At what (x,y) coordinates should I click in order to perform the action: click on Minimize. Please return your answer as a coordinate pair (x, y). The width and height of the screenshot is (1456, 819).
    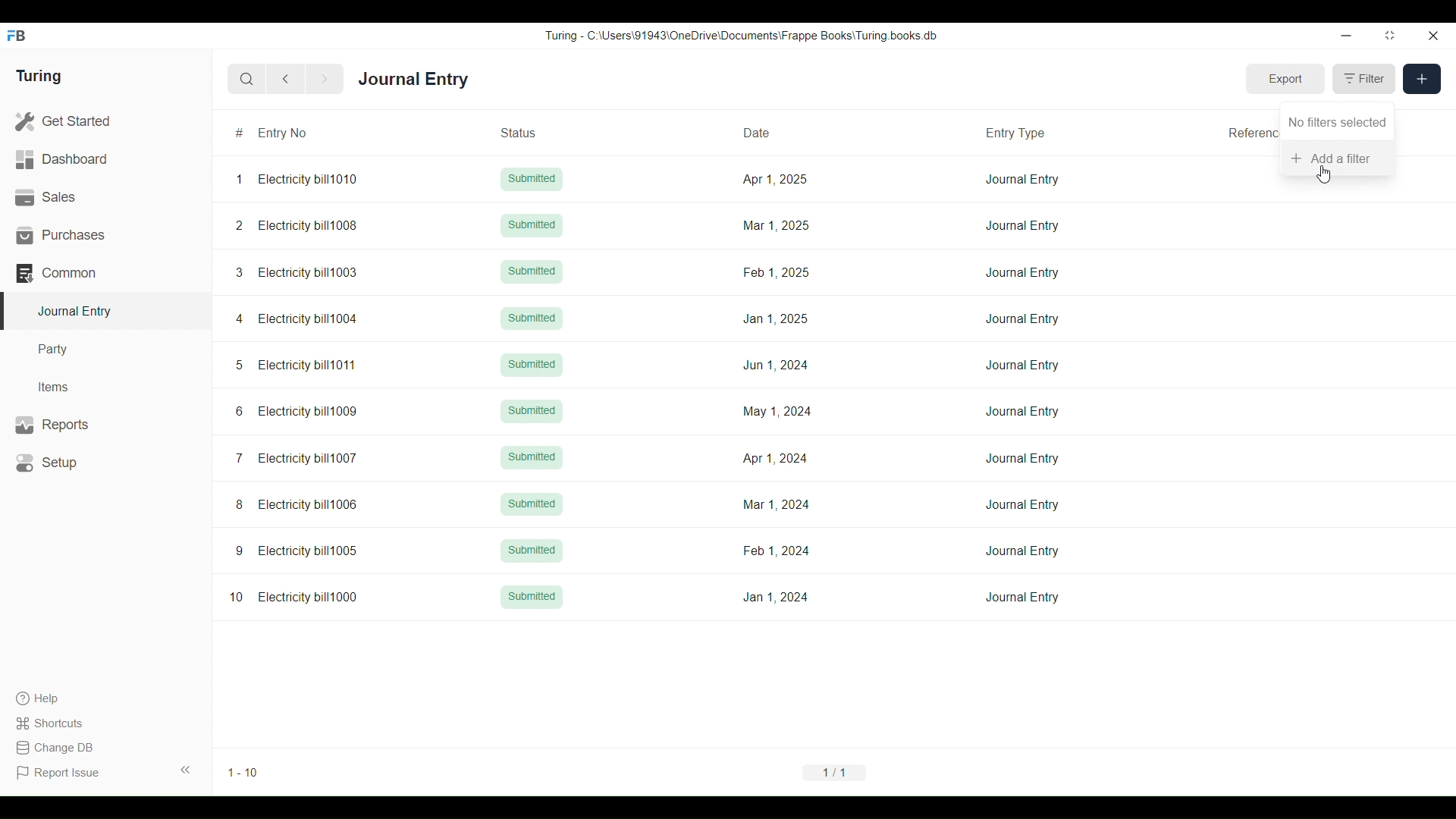
    Looking at the image, I should click on (1347, 36).